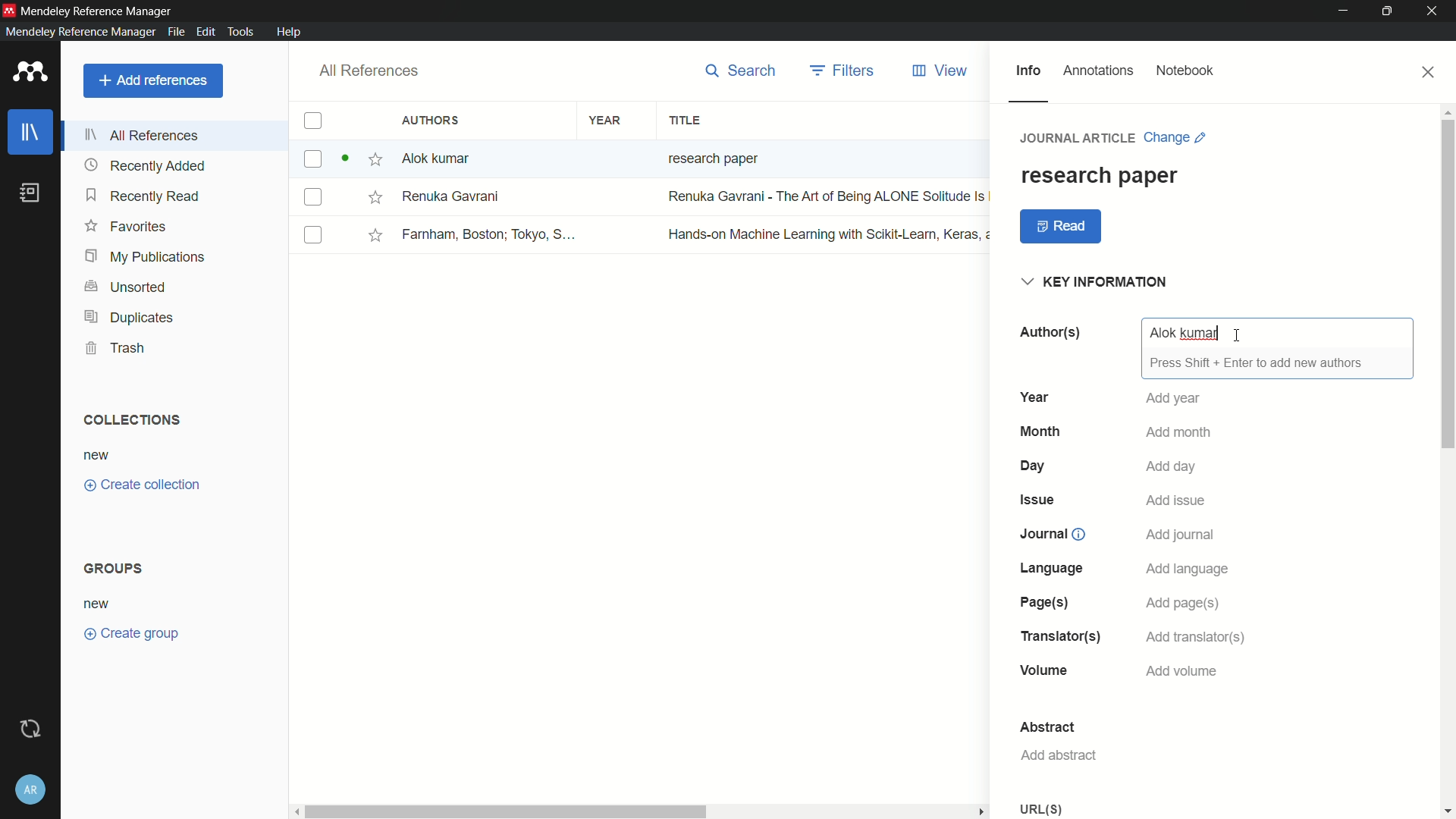  What do you see at coordinates (174, 31) in the screenshot?
I see `file menu` at bounding box center [174, 31].